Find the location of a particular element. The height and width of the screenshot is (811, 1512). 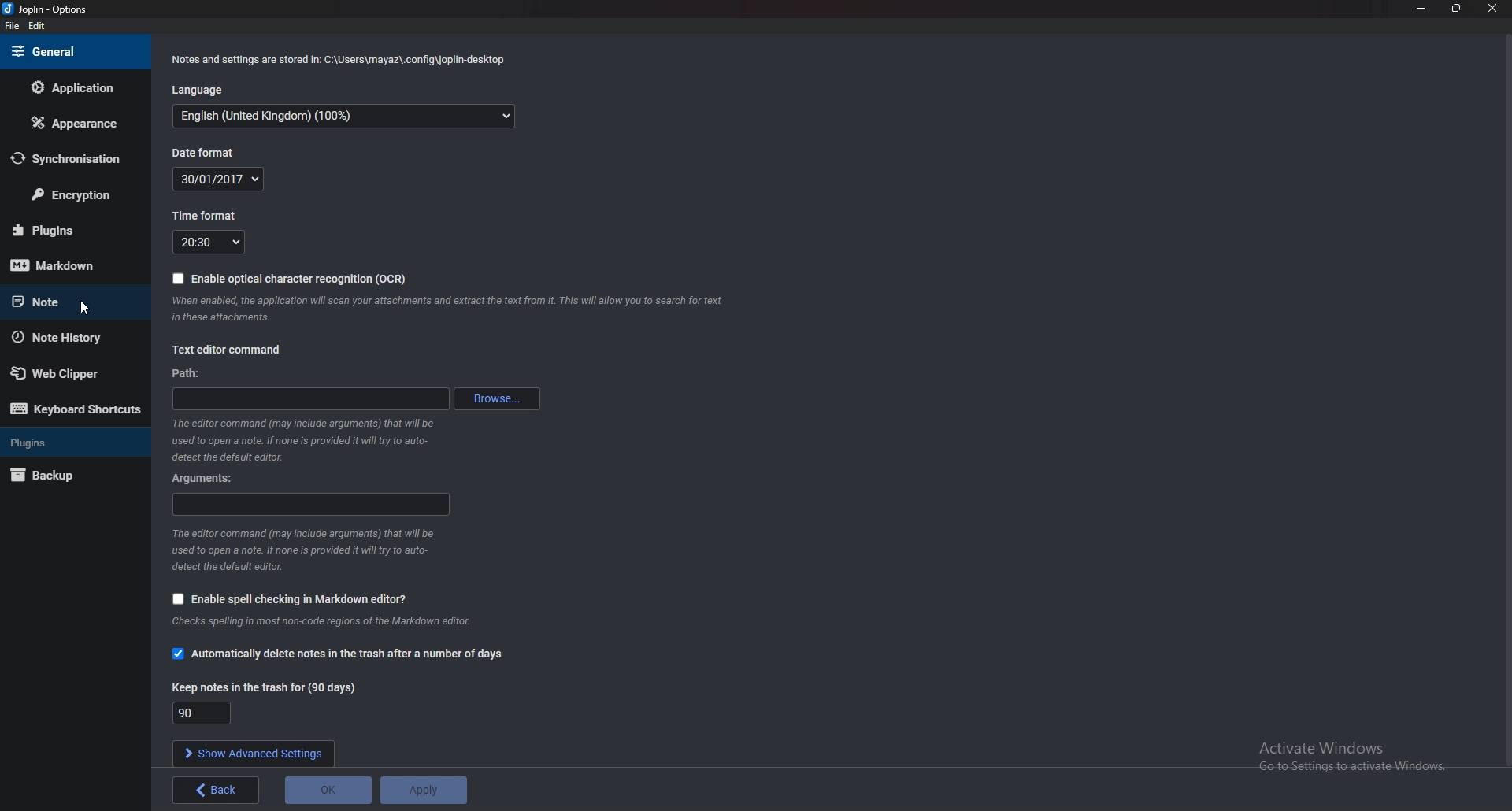

Plugin is located at coordinates (70, 231).